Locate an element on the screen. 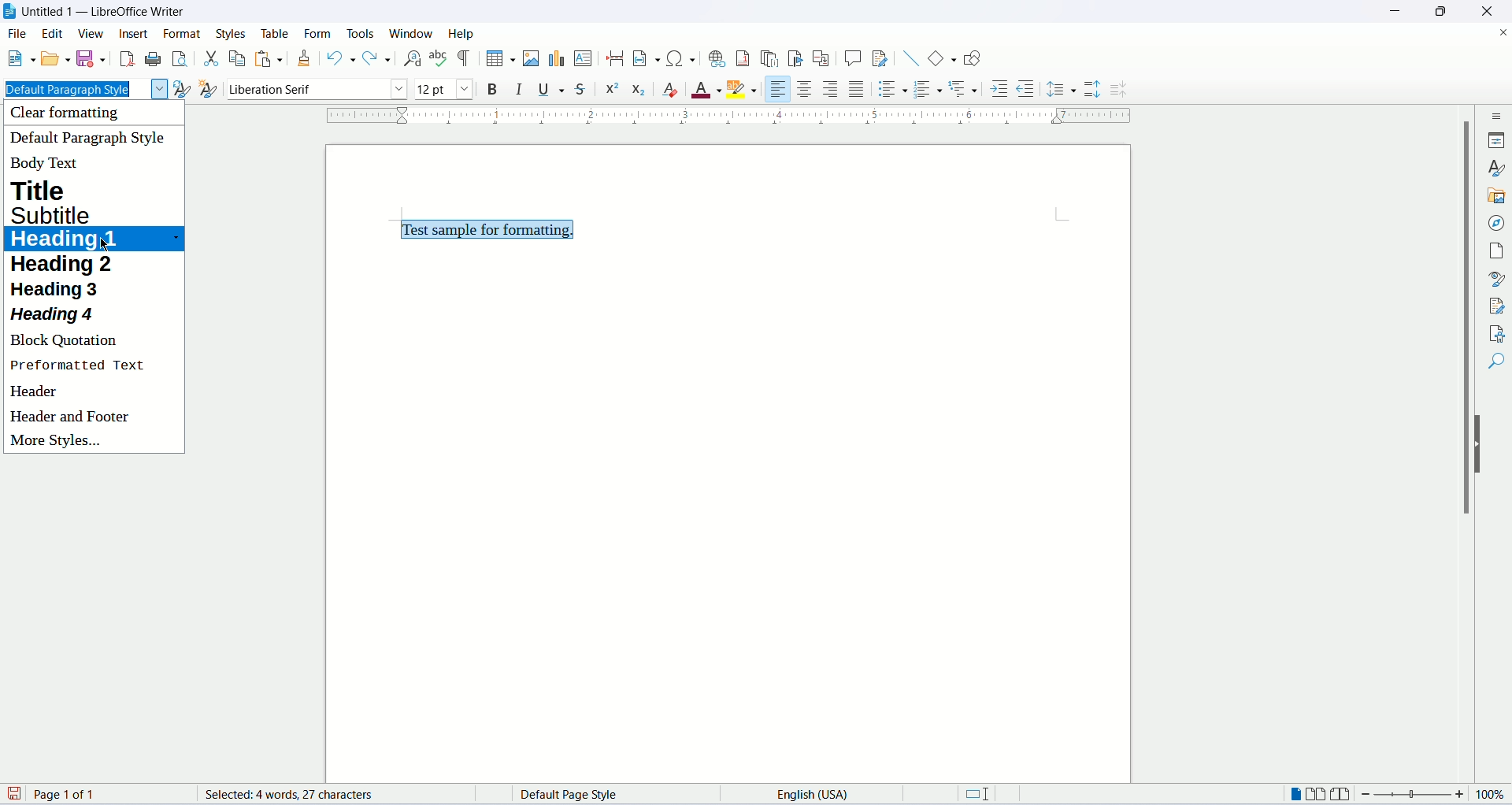 This screenshot has height=805, width=1512. words and characters is located at coordinates (272, 795).